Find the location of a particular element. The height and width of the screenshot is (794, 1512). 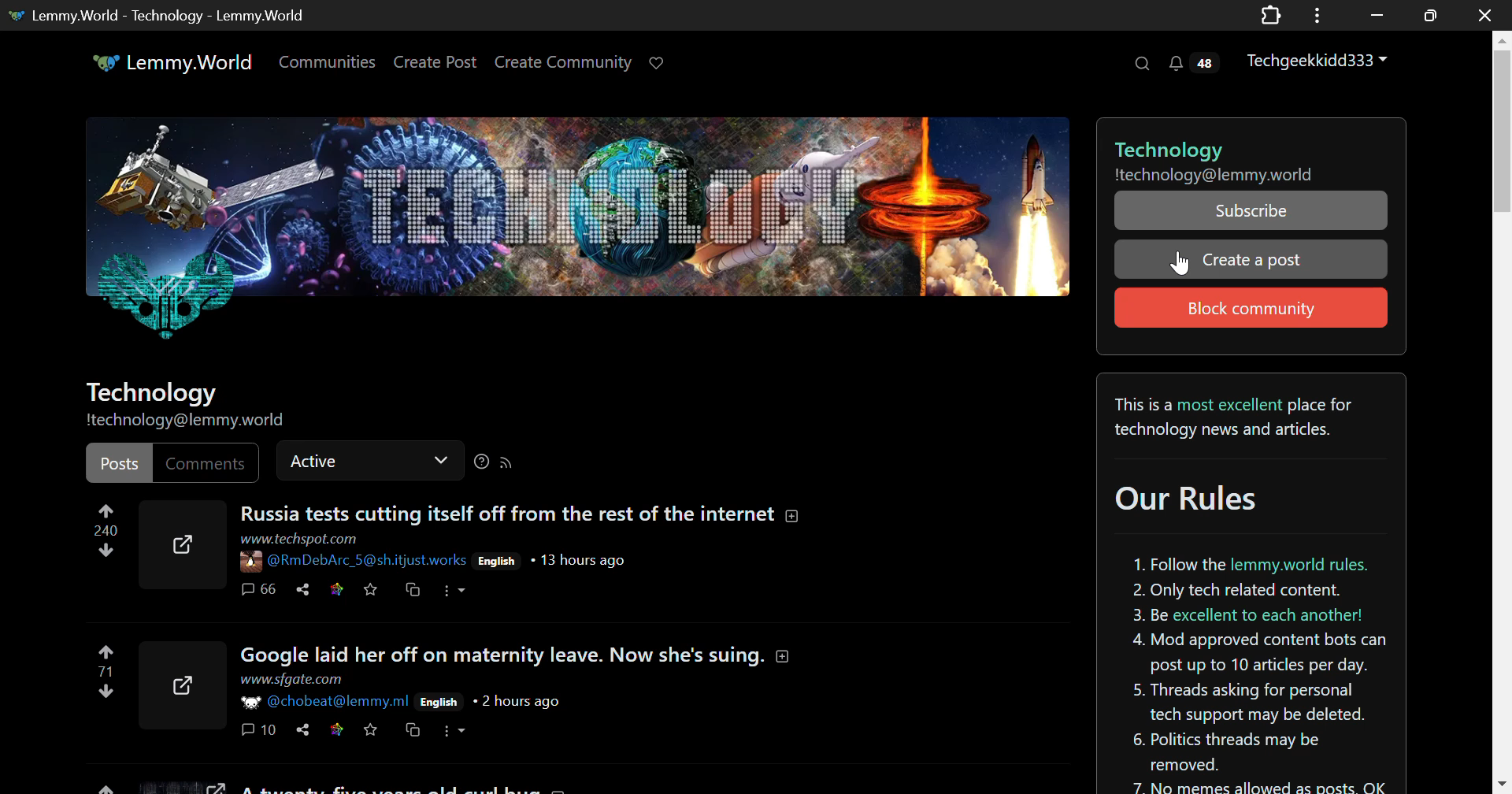

Techgeekkidd333 is located at coordinates (1319, 61).